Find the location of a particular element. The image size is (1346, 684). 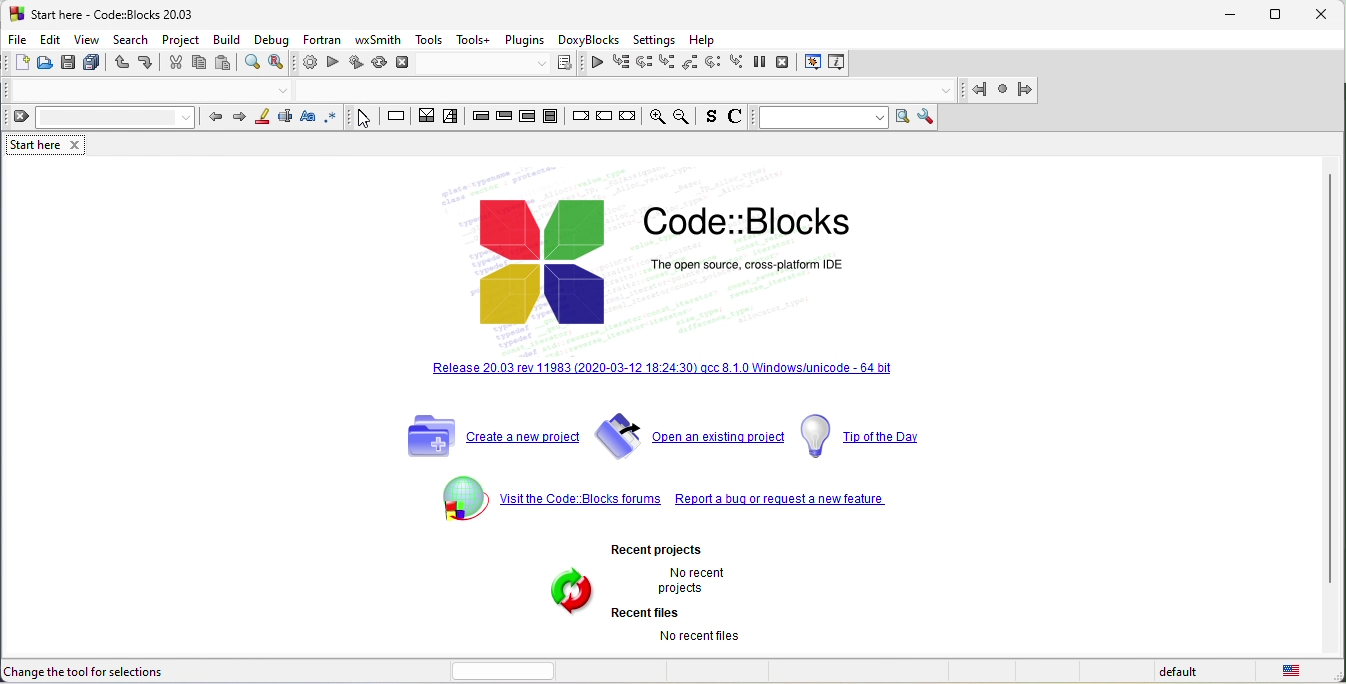

build is located at coordinates (228, 40).